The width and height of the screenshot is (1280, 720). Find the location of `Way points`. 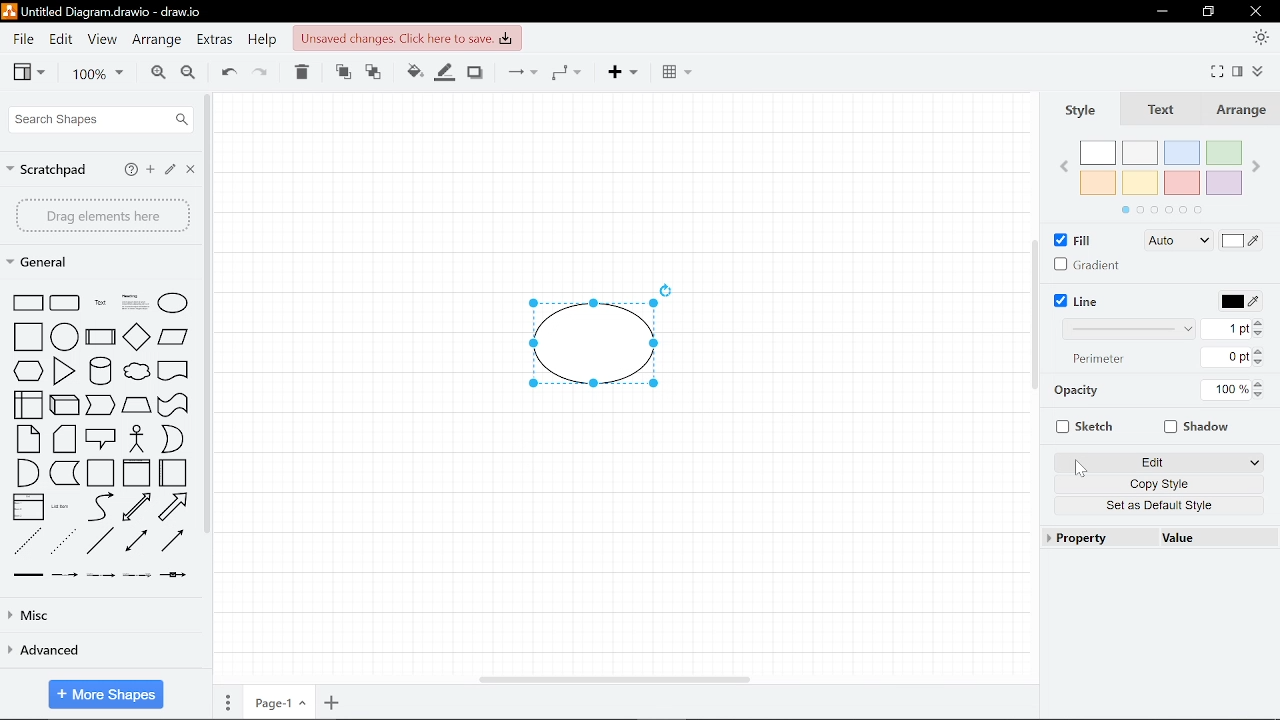

Way points is located at coordinates (566, 71).